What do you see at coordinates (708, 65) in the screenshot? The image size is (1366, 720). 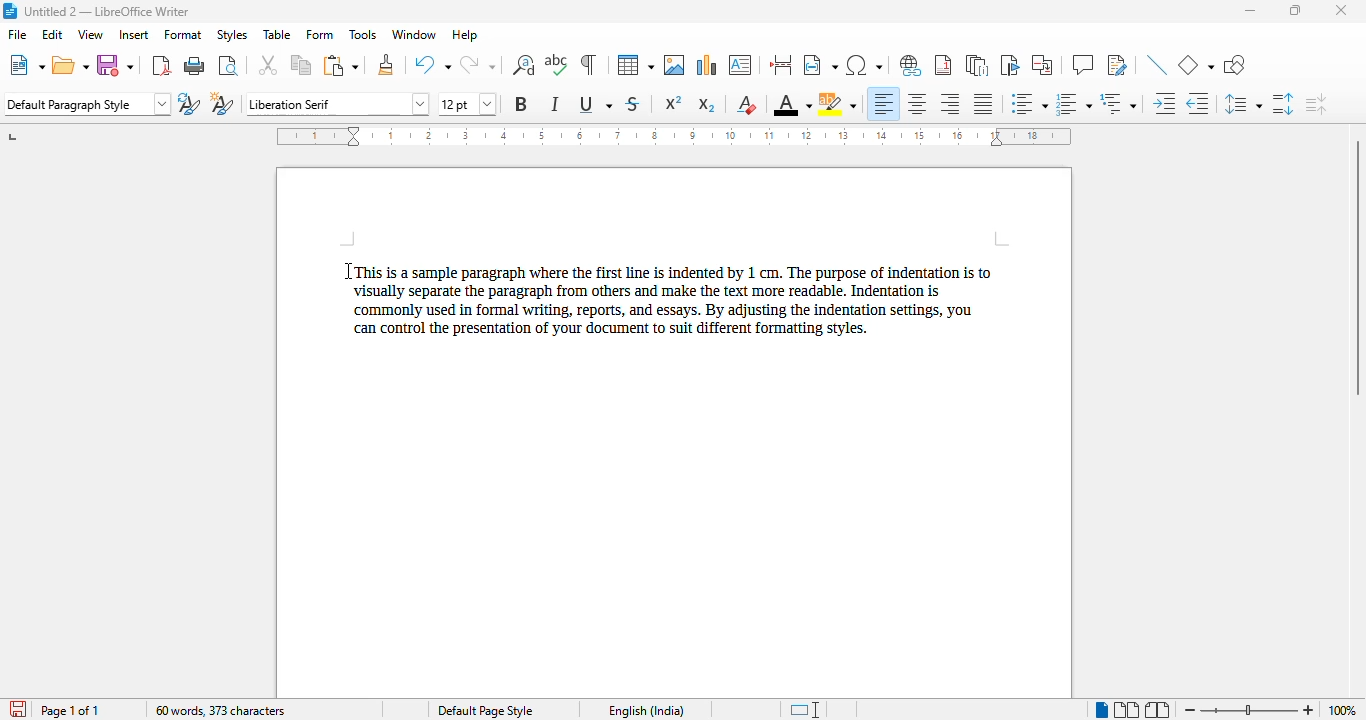 I see `insert chart` at bounding box center [708, 65].